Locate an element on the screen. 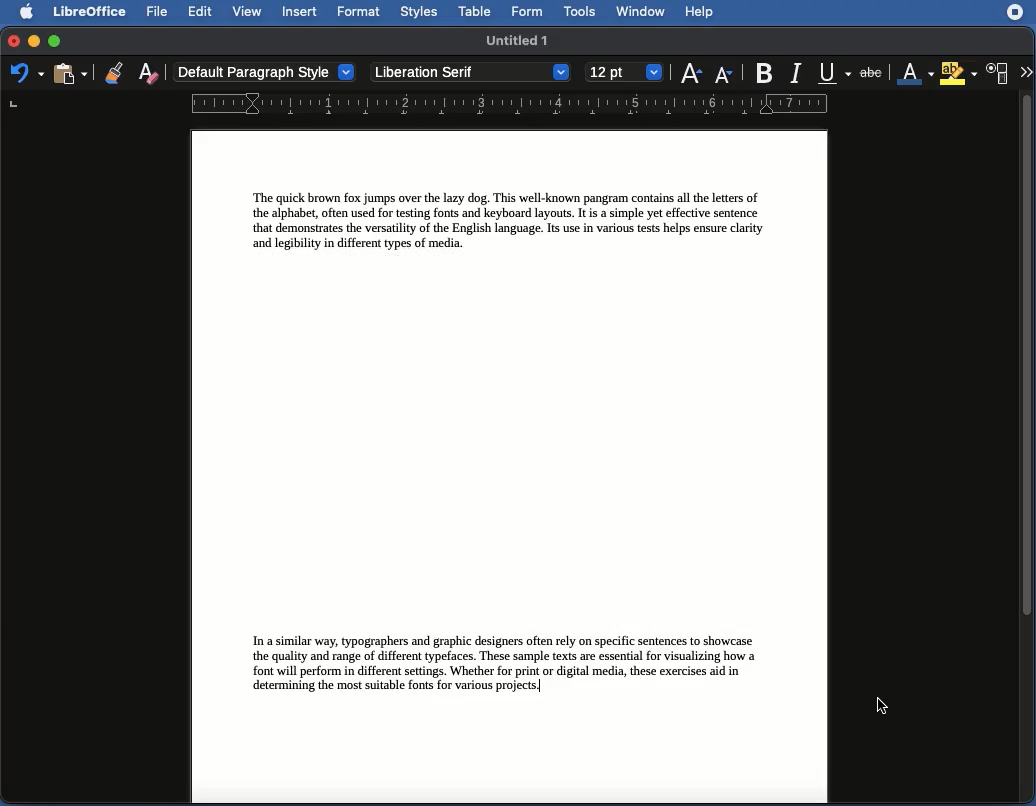  cursor is located at coordinates (876, 707).